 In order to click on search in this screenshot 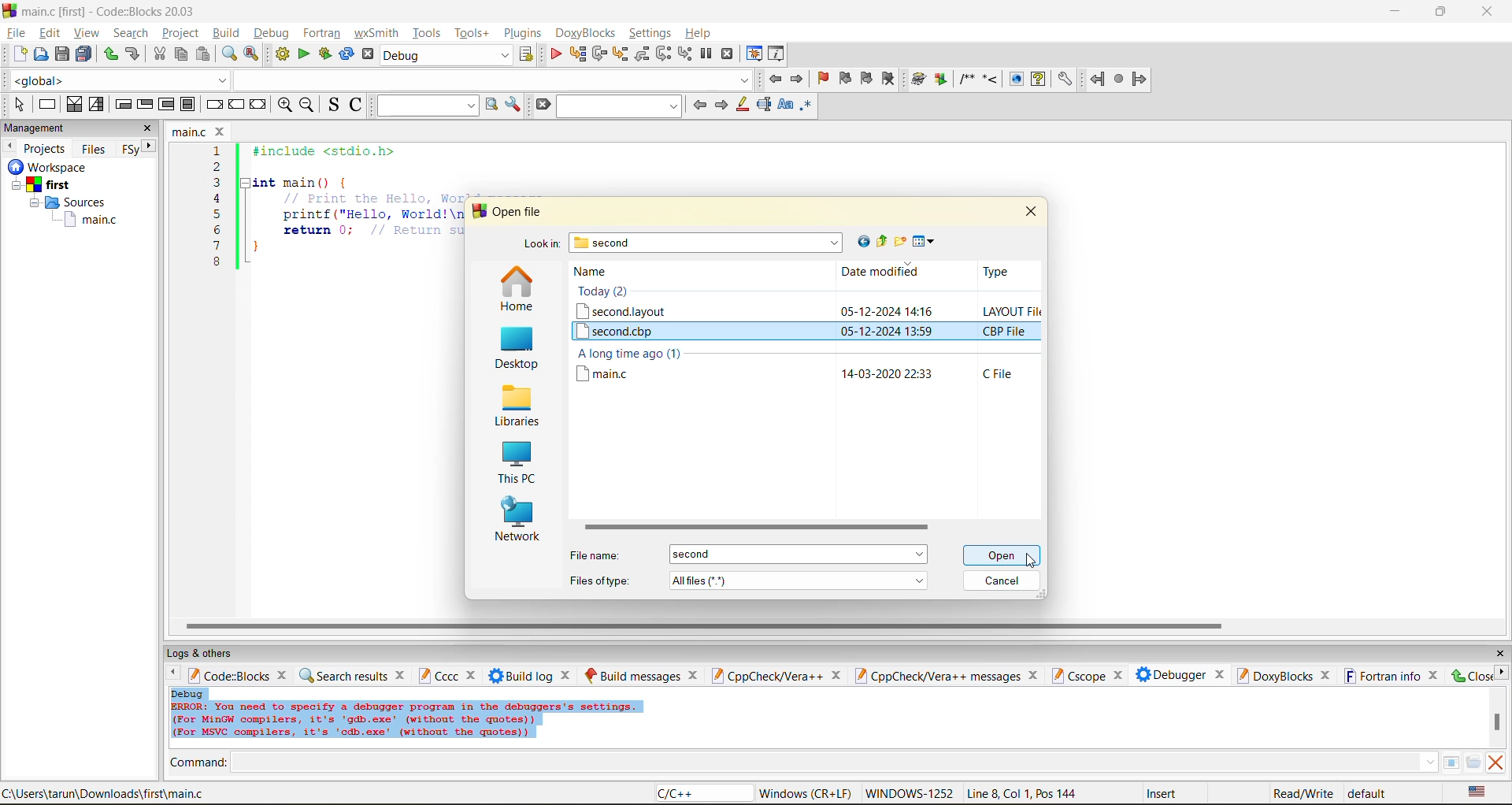, I will do `click(131, 32)`.